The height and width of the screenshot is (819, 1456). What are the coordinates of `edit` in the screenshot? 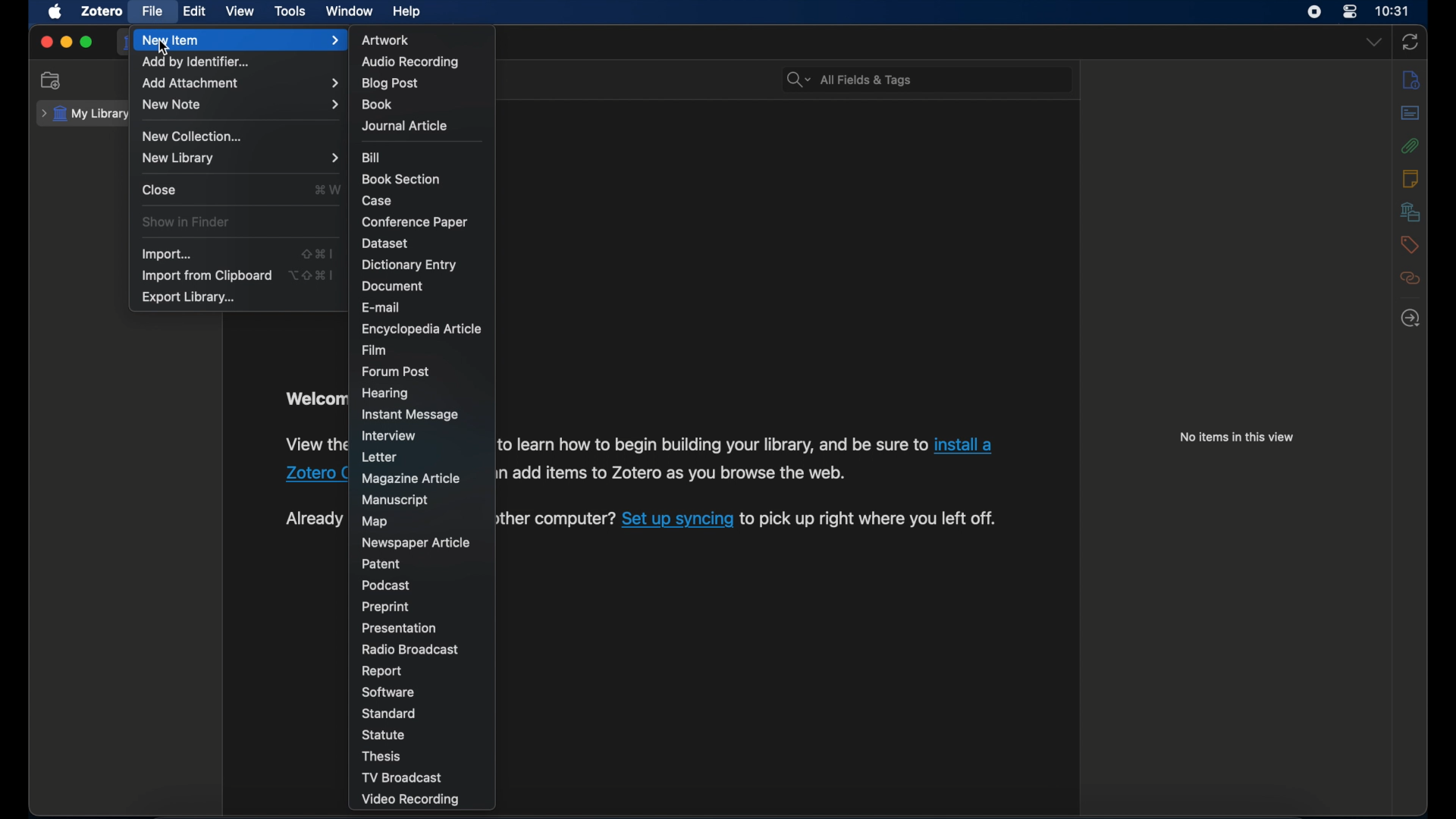 It's located at (194, 11).